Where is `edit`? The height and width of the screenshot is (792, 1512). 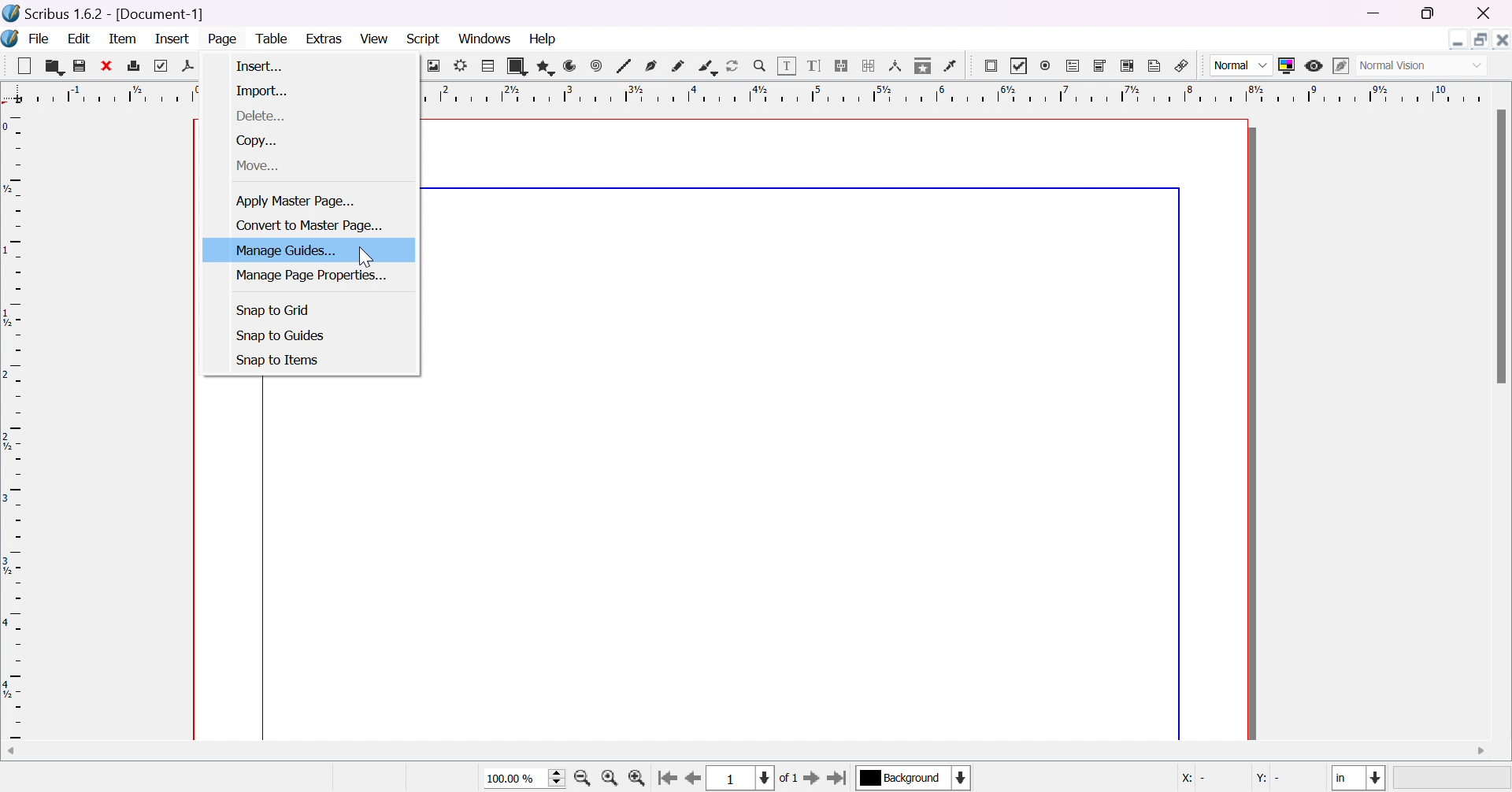
edit is located at coordinates (79, 39).